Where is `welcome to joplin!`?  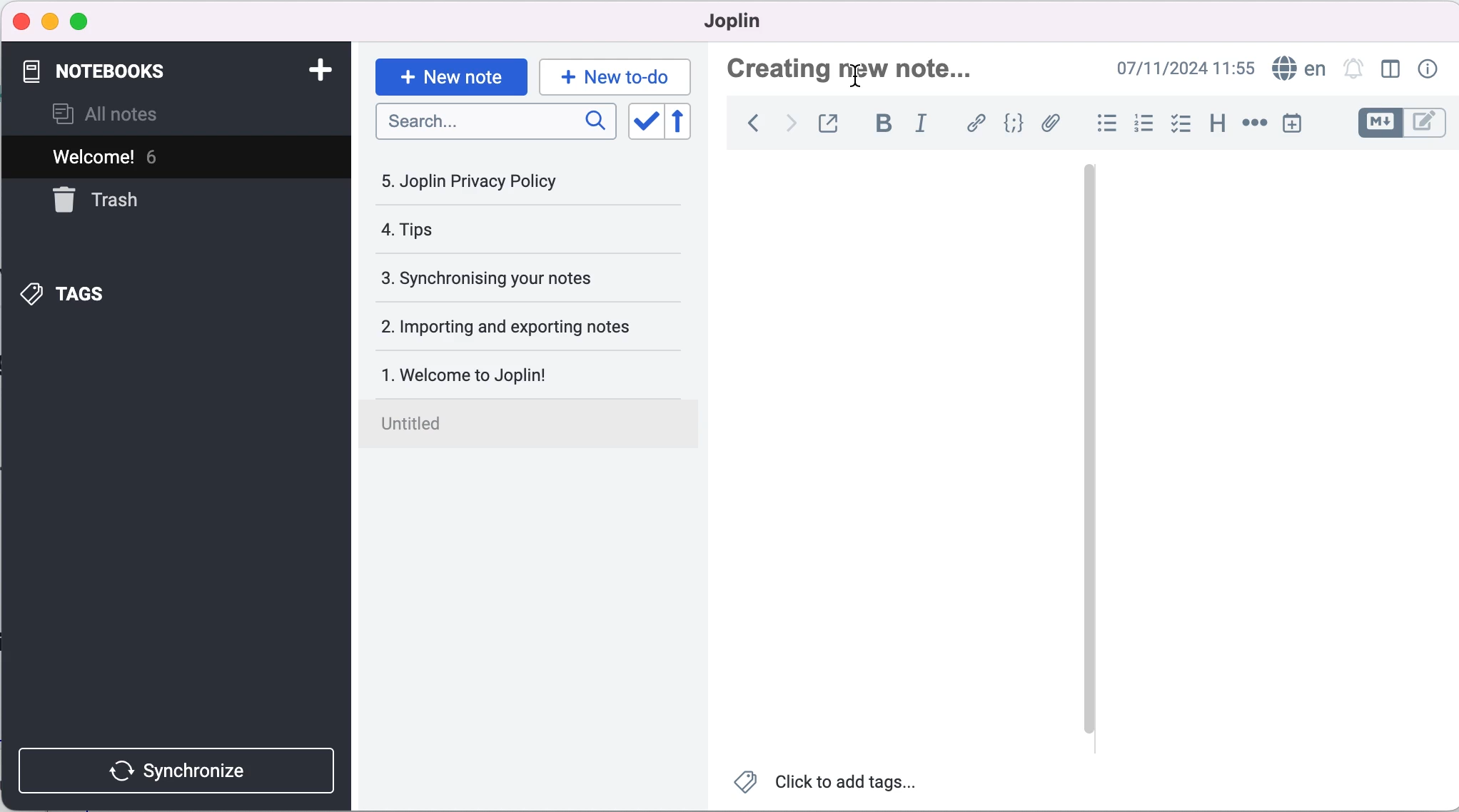
welcome to joplin! is located at coordinates (515, 377).